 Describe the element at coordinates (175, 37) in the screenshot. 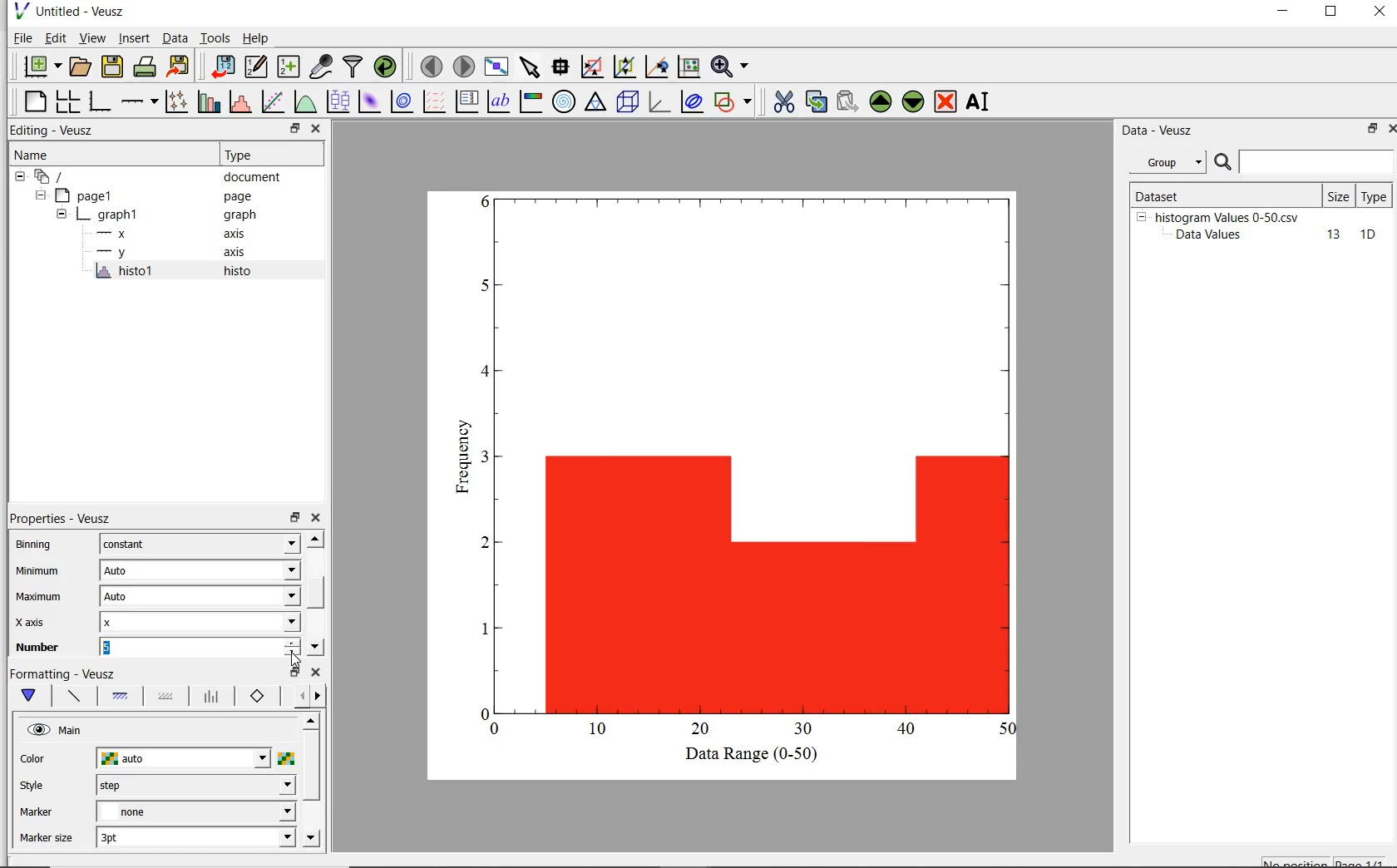

I see `Data` at that location.